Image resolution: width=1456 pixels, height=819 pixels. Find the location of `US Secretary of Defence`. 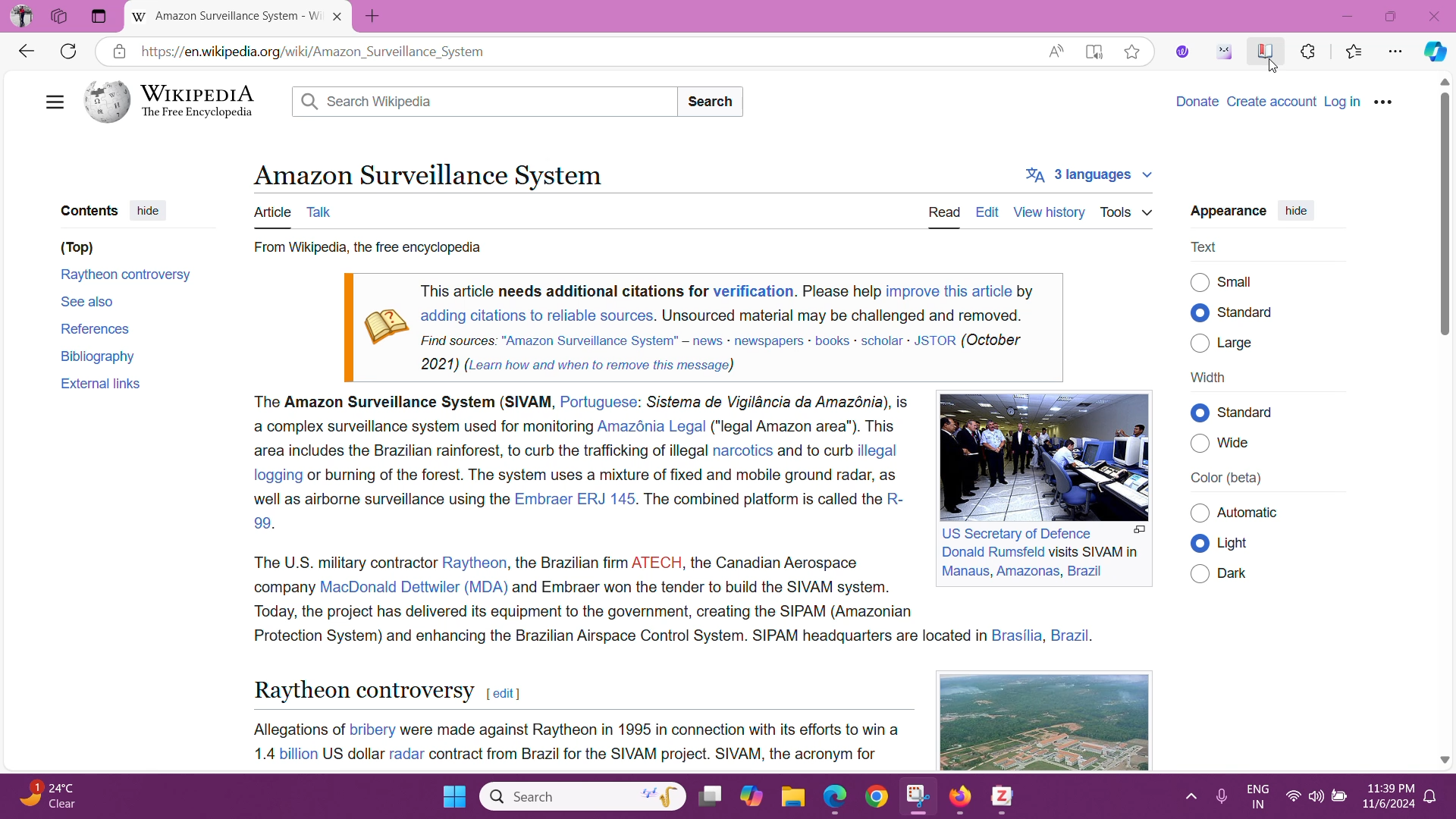

US Secretary of Defence is located at coordinates (1019, 533).